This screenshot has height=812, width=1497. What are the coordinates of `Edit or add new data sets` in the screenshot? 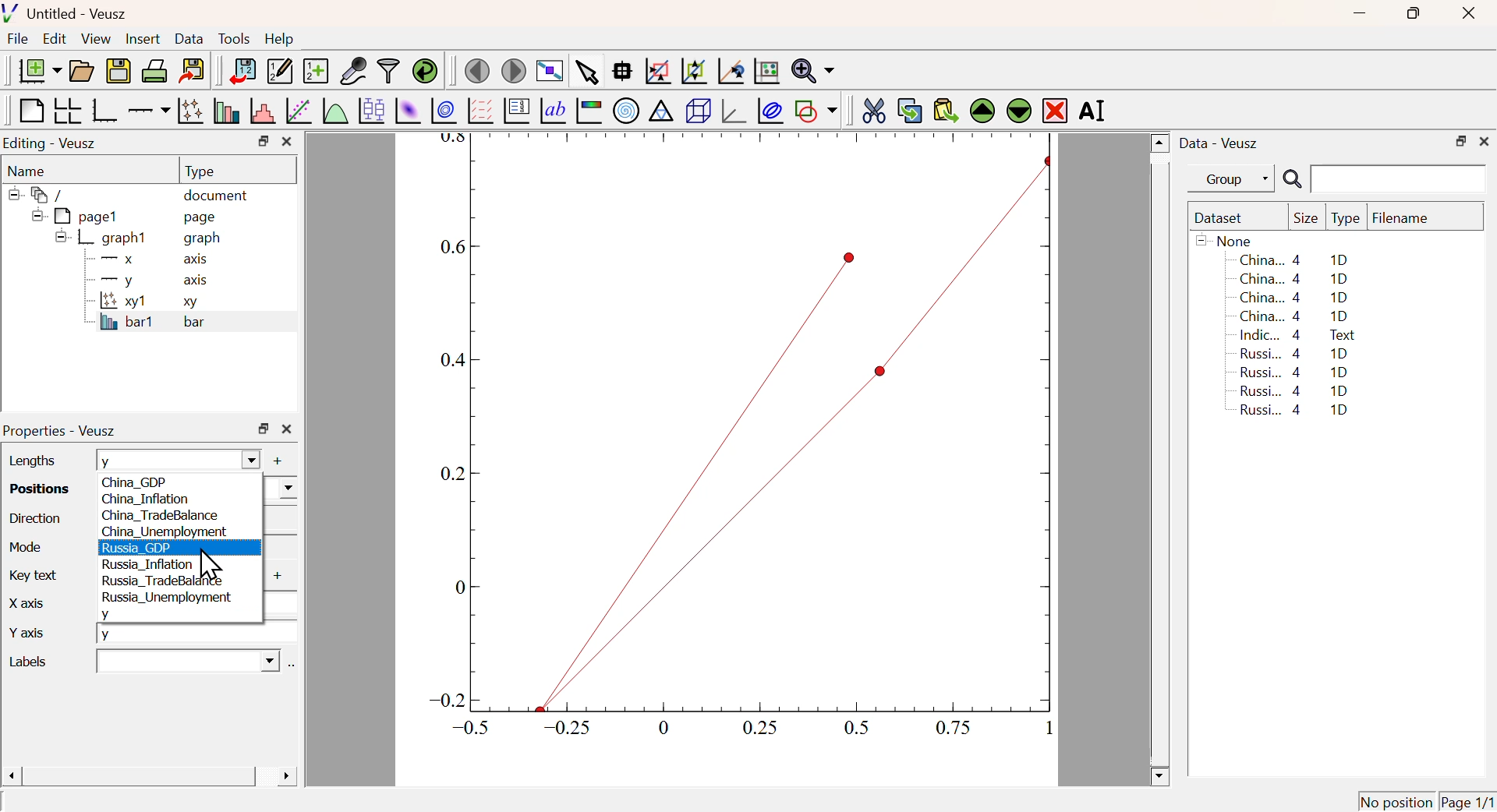 It's located at (278, 72).